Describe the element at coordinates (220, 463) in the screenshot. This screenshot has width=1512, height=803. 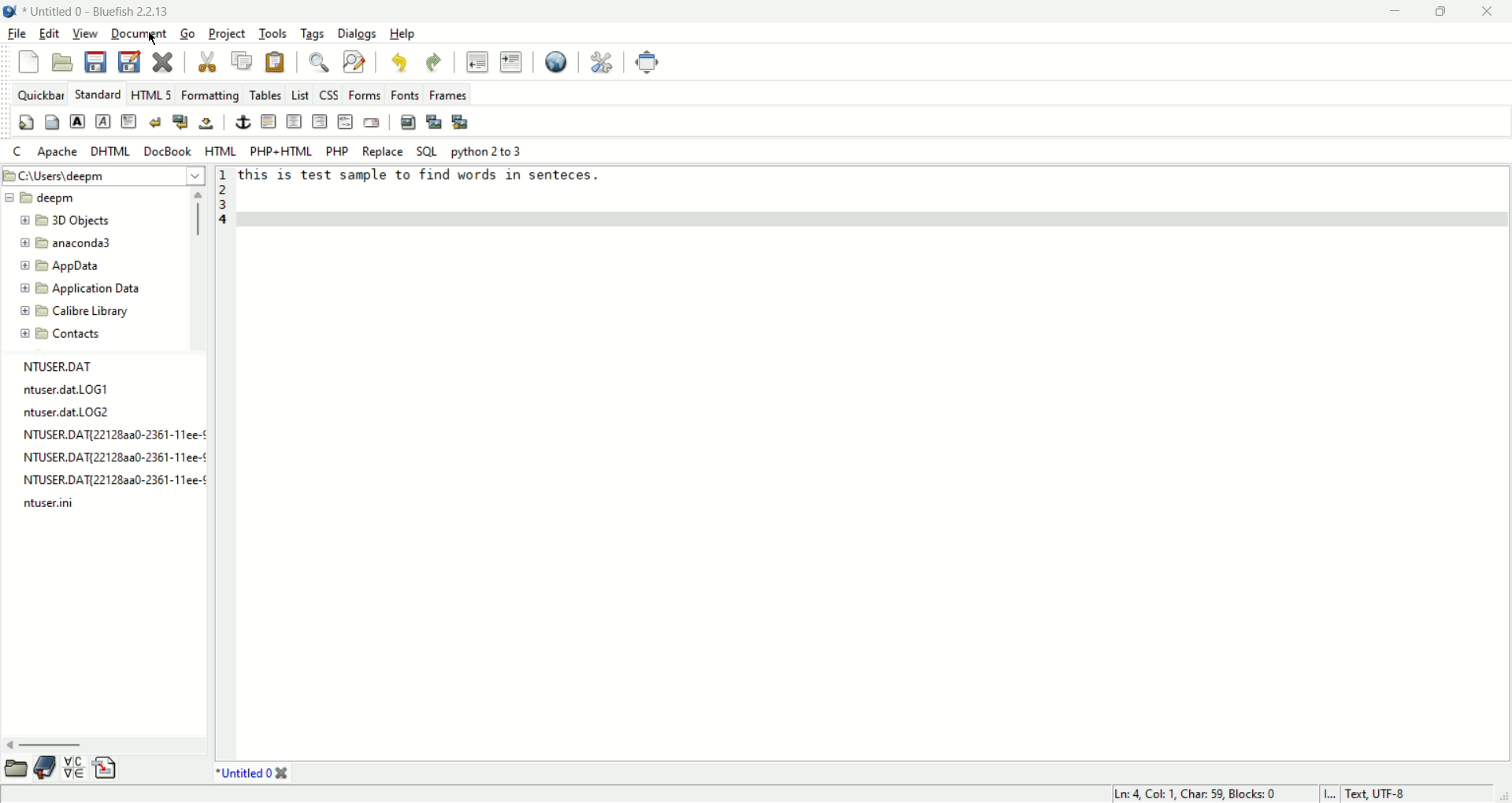
I see `line number` at that location.